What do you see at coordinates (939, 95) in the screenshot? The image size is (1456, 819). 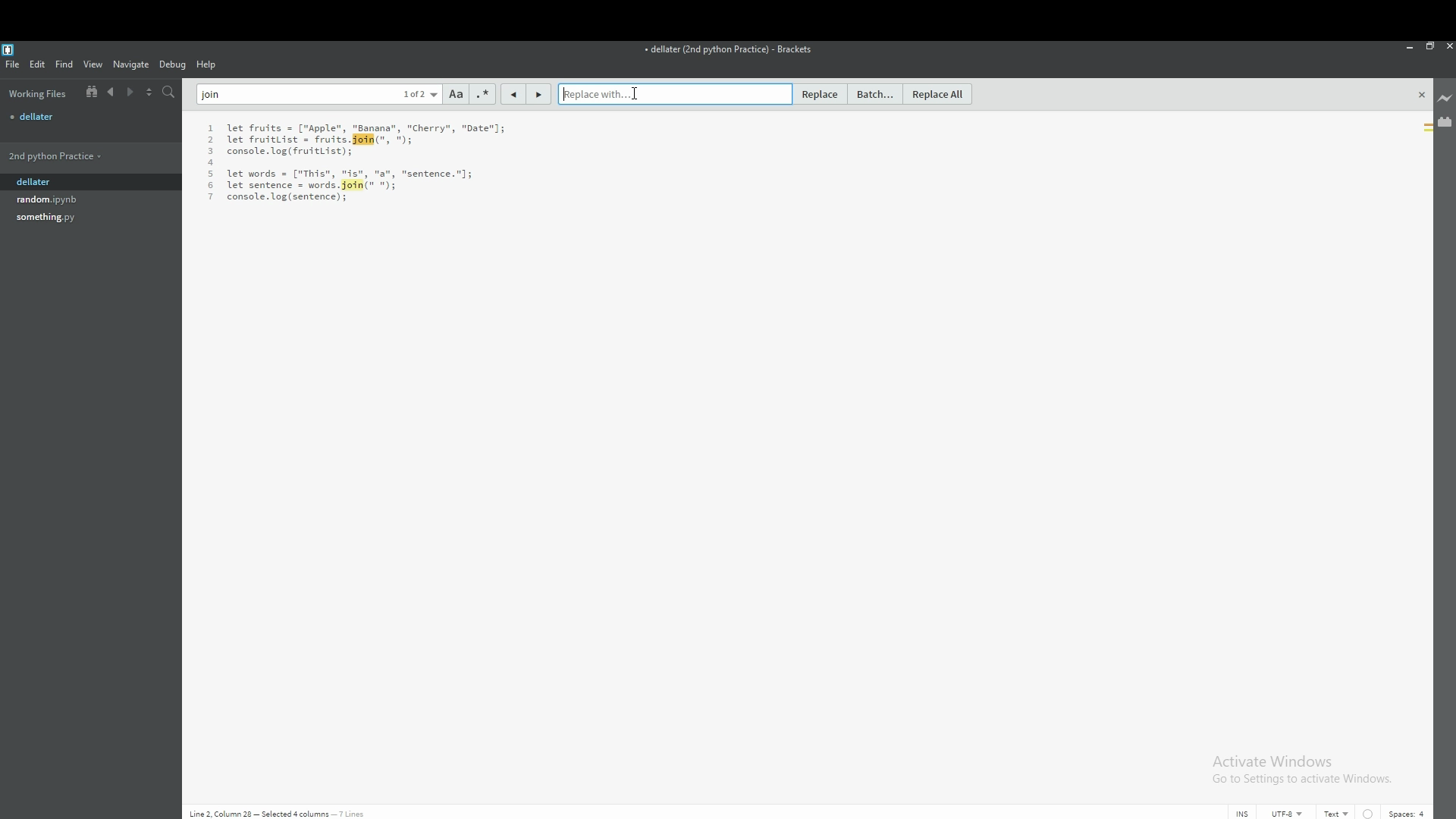 I see `replace all` at bounding box center [939, 95].